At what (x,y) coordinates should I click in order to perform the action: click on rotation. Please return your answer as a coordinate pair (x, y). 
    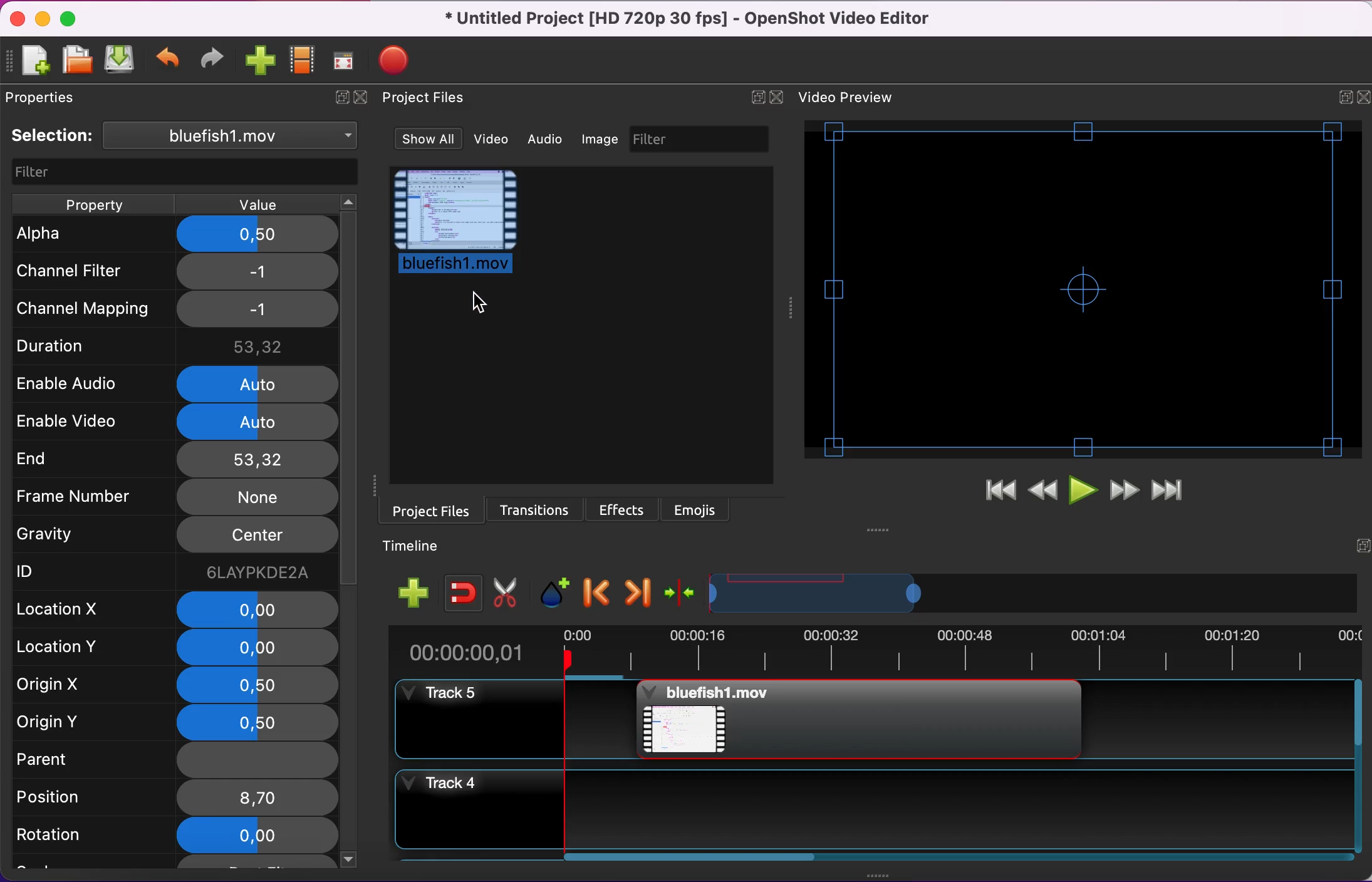
    Looking at the image, I should click on (70, 838).